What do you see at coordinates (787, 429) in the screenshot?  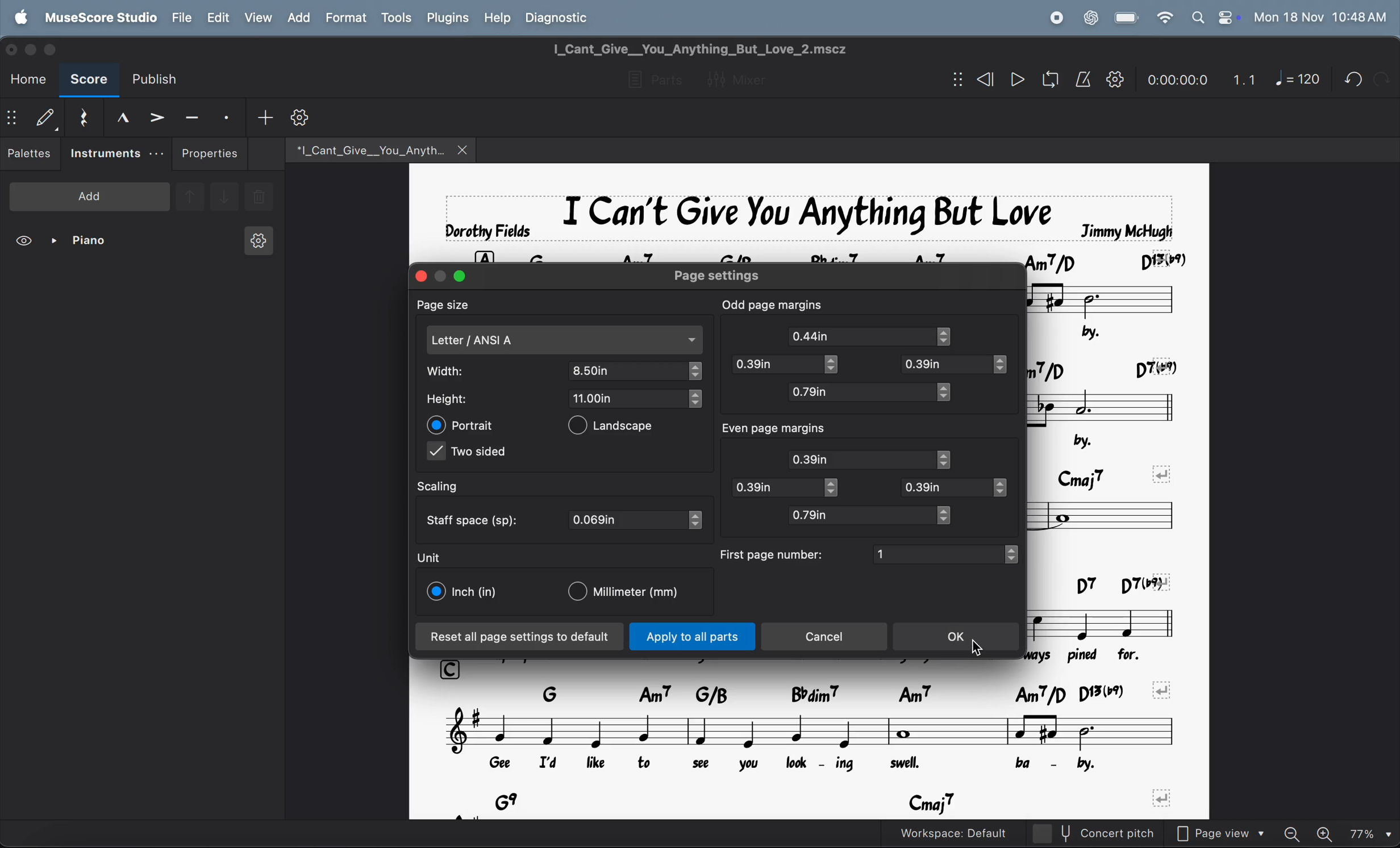 I see `even page margins` at bounding box center [787, 429].